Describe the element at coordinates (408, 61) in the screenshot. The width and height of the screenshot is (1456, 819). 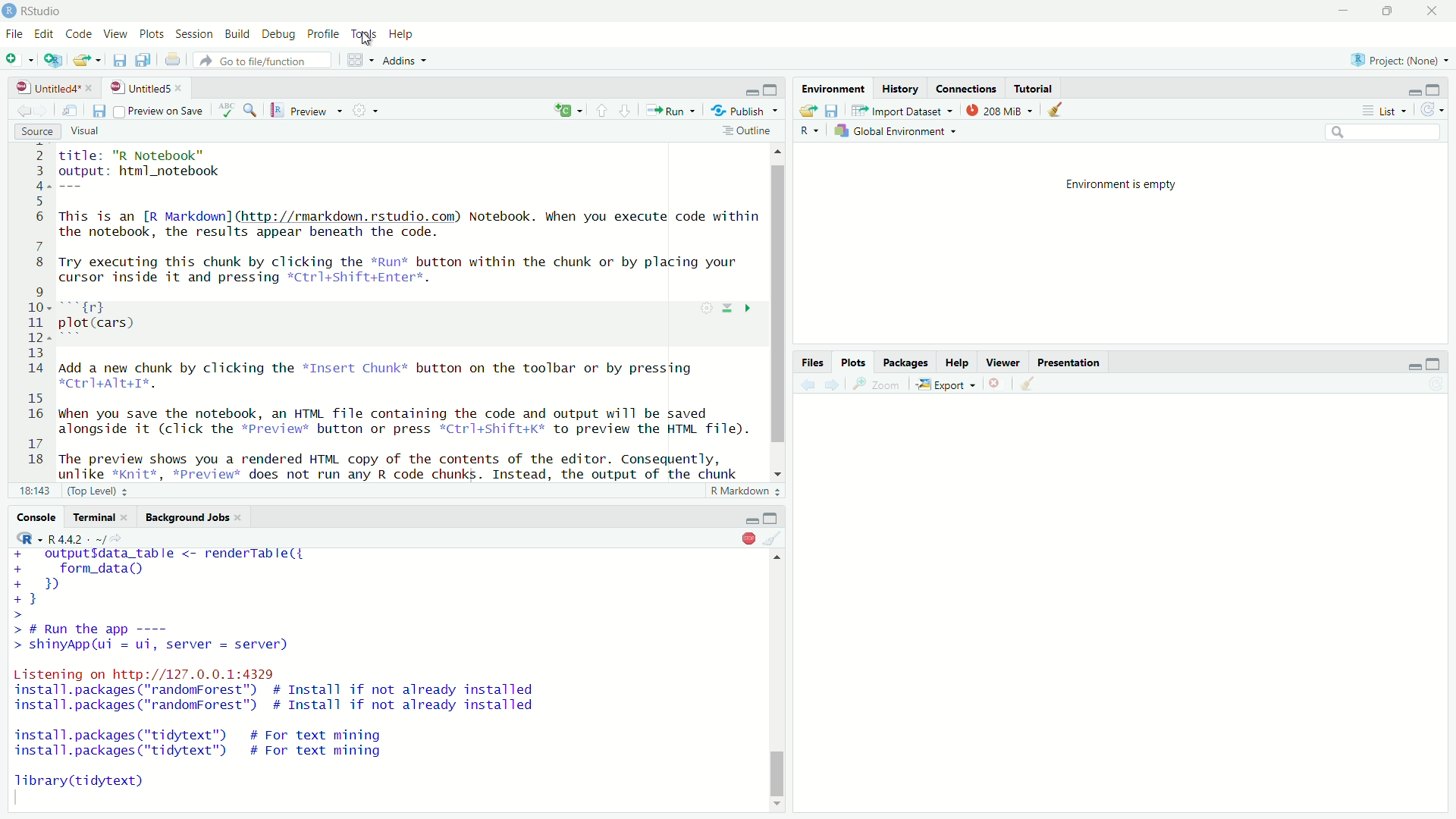
I see `Addins` at that location.